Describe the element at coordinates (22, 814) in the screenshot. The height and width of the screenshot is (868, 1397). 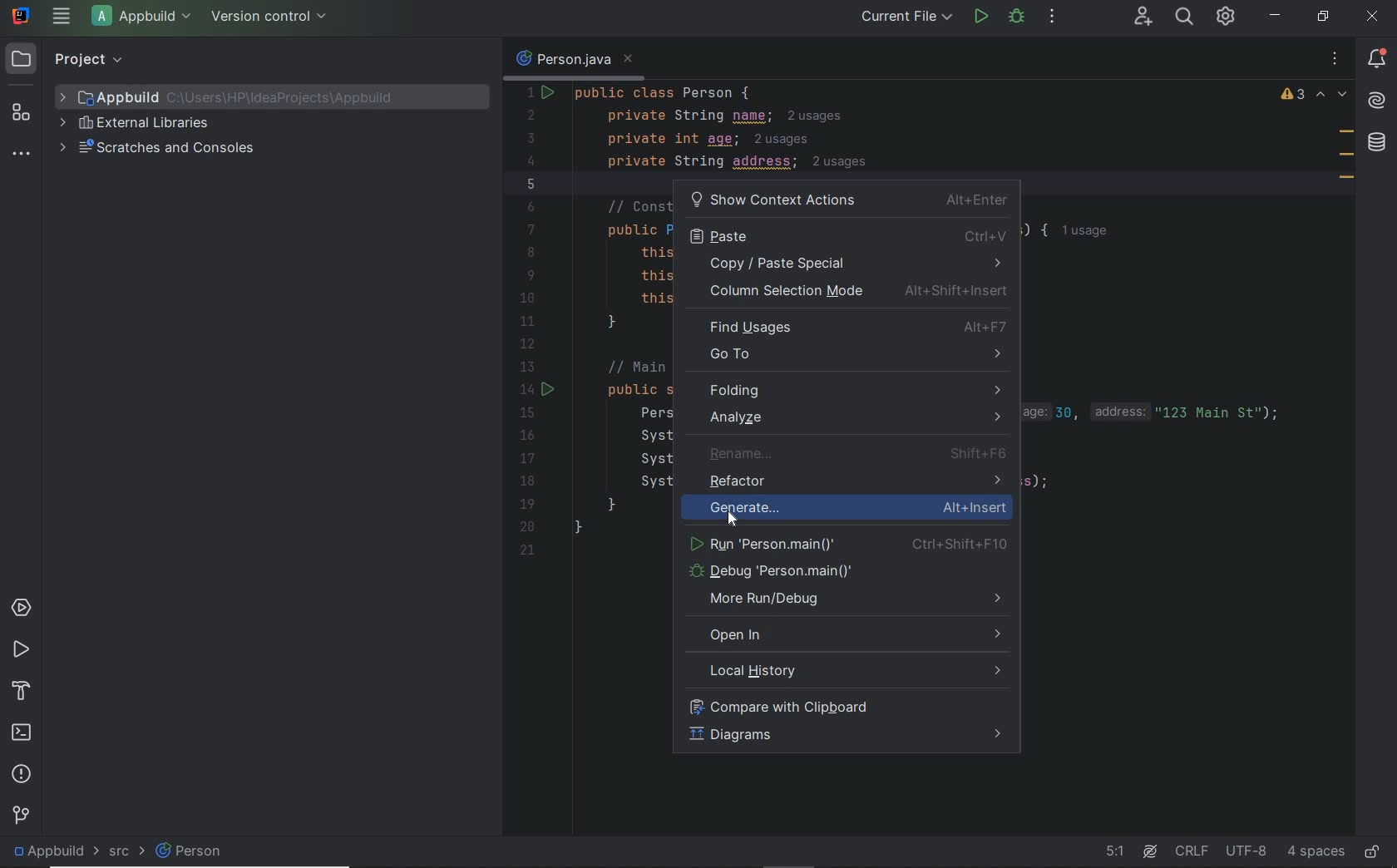
I see `version control` at that location.